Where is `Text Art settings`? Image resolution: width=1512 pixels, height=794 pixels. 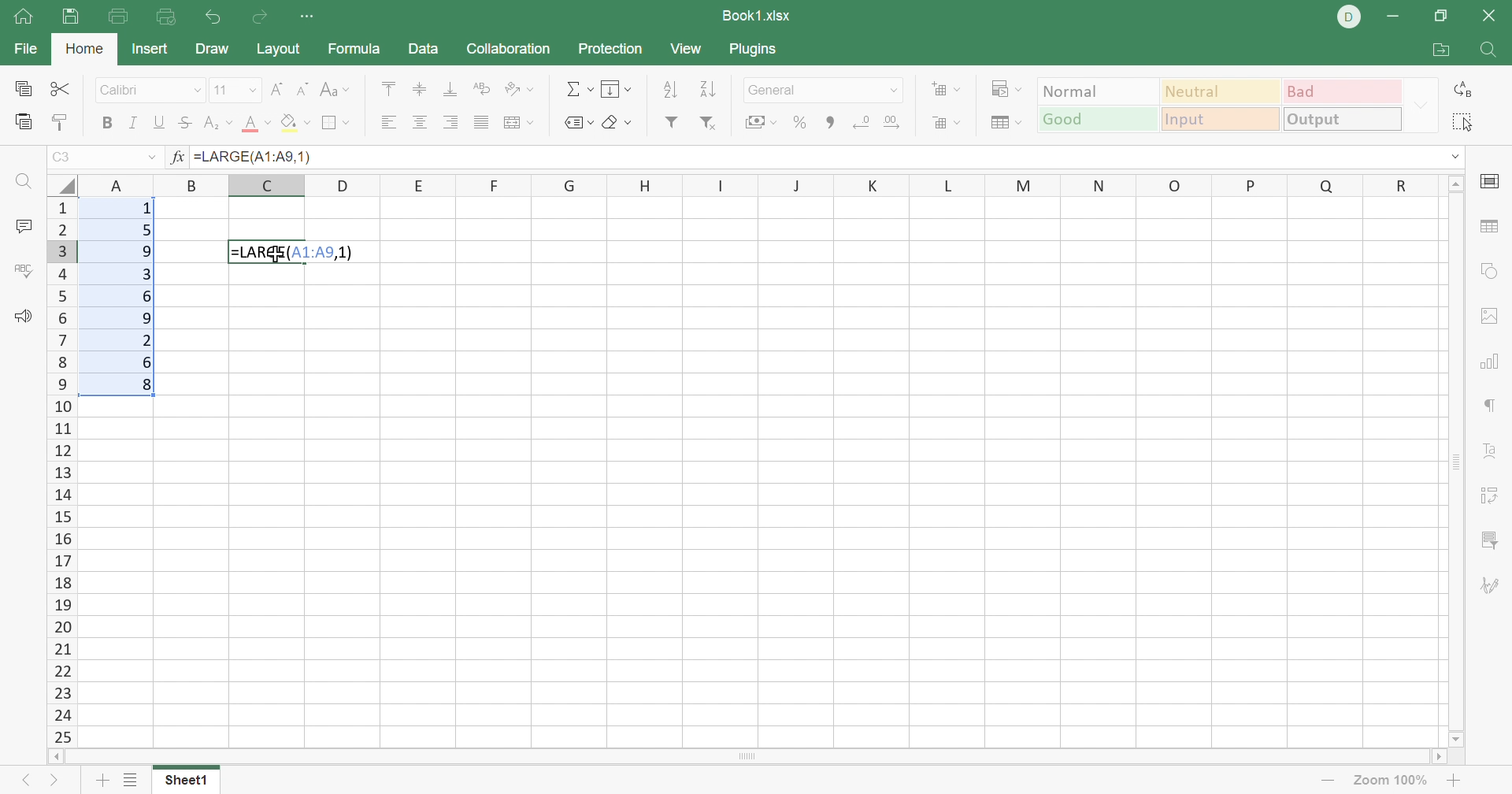
Text Art settings is located at coordinates (1492, 451).